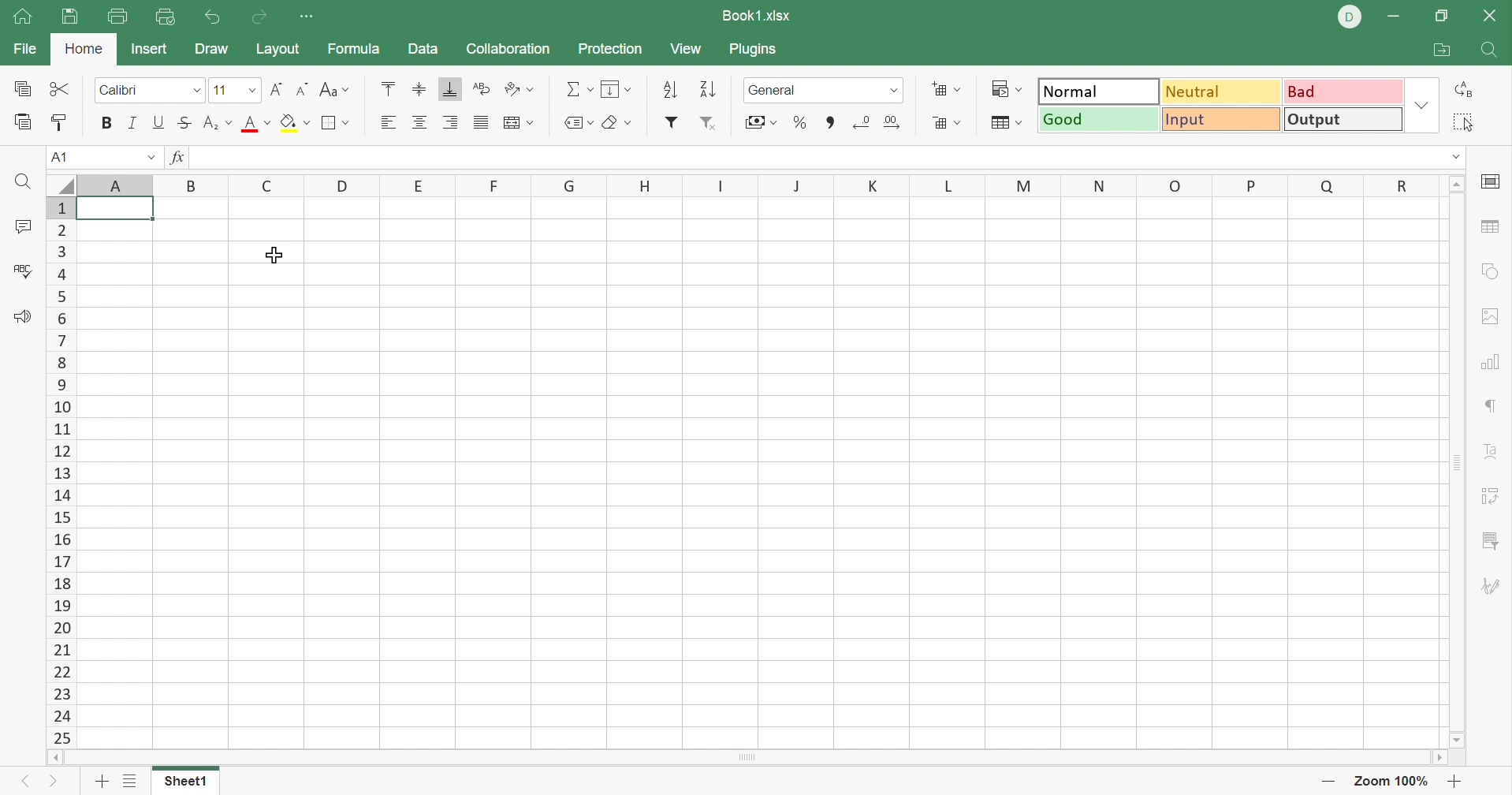 Image resolution: width=1512 pixels, height=795 pixels. Describe the element at coordinates (277, 256) in the screenshot. I see `Cursor` at that location.